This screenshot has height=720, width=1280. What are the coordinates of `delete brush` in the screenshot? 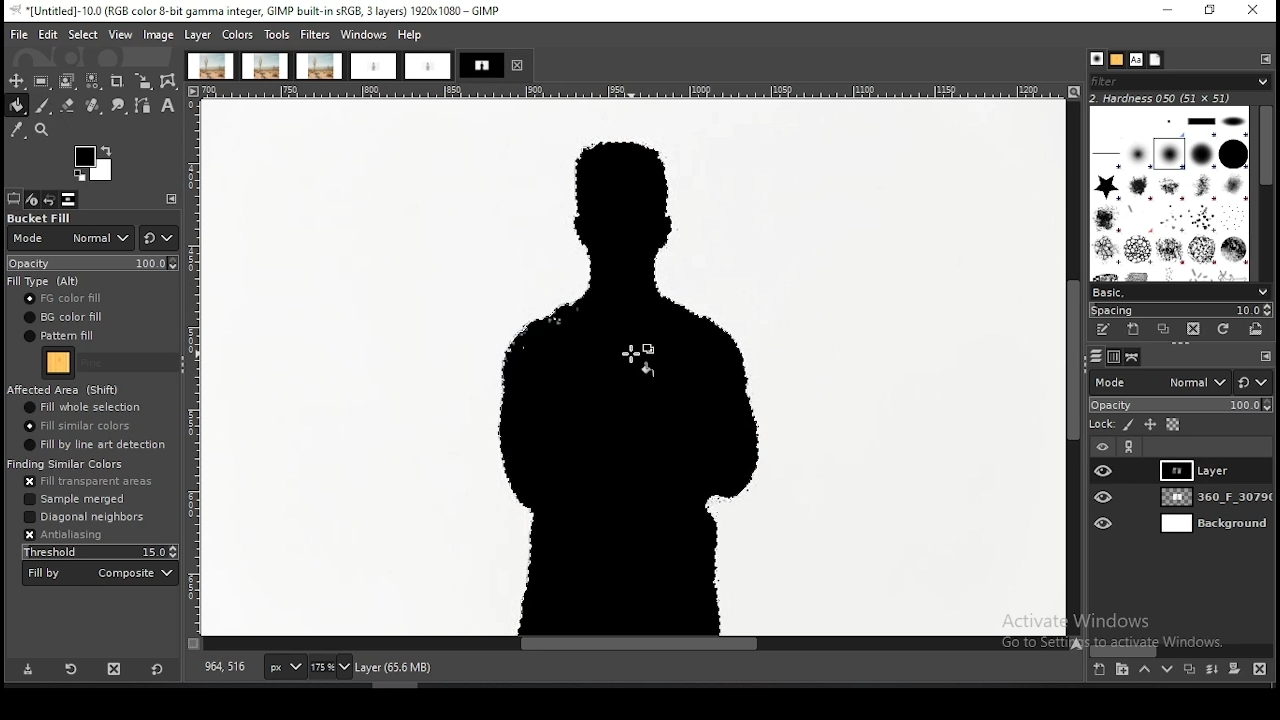 It's located at (1194, 330).